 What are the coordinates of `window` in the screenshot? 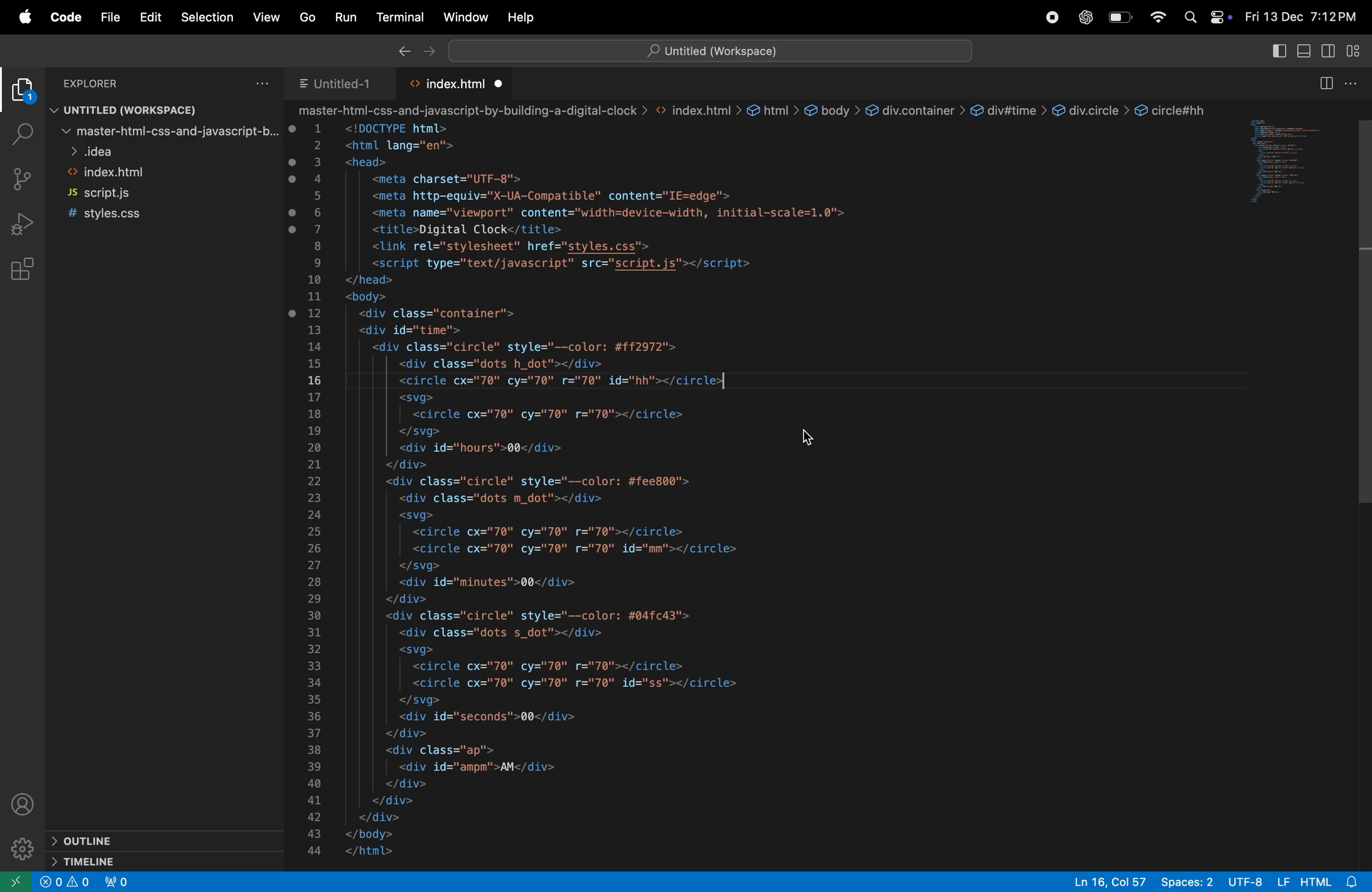 It's located at (464, 17).